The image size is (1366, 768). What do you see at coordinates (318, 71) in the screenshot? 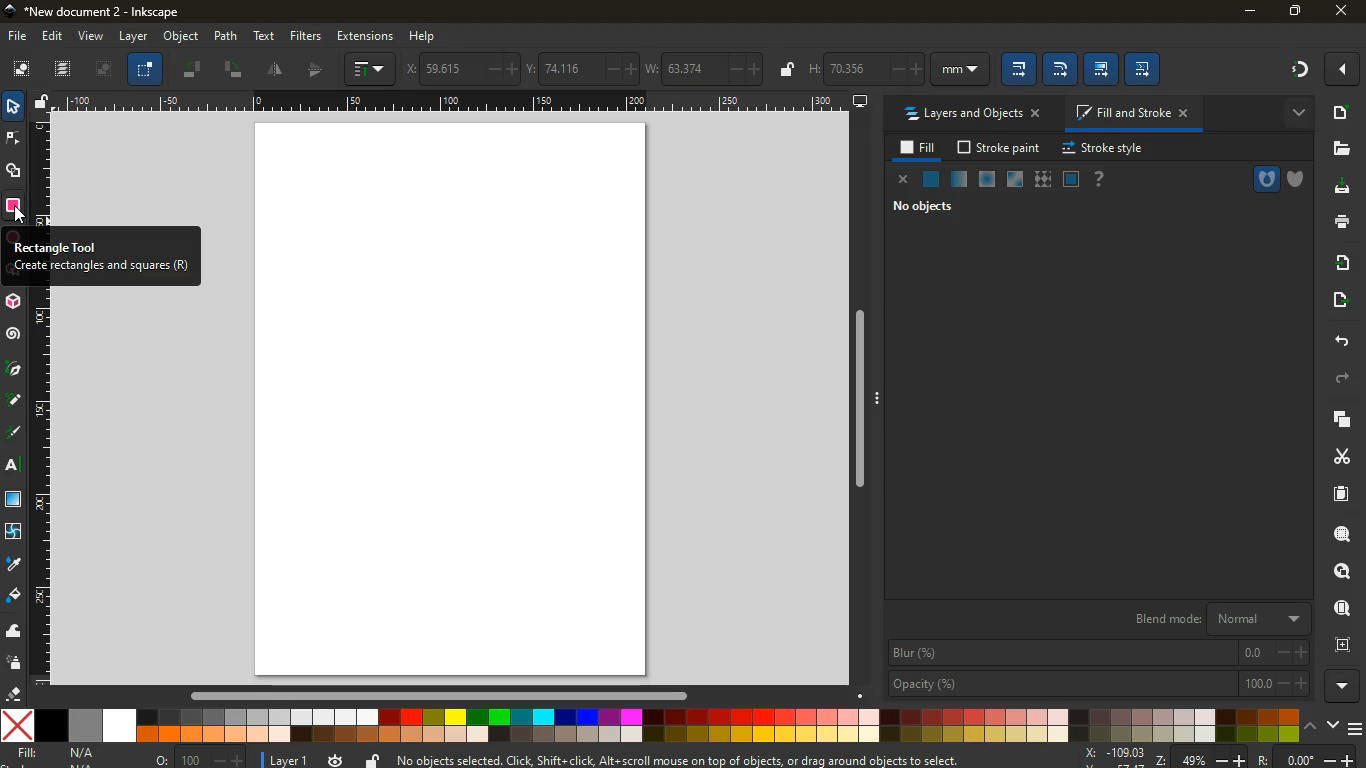
I see `half` at bounding box center [318, 71].